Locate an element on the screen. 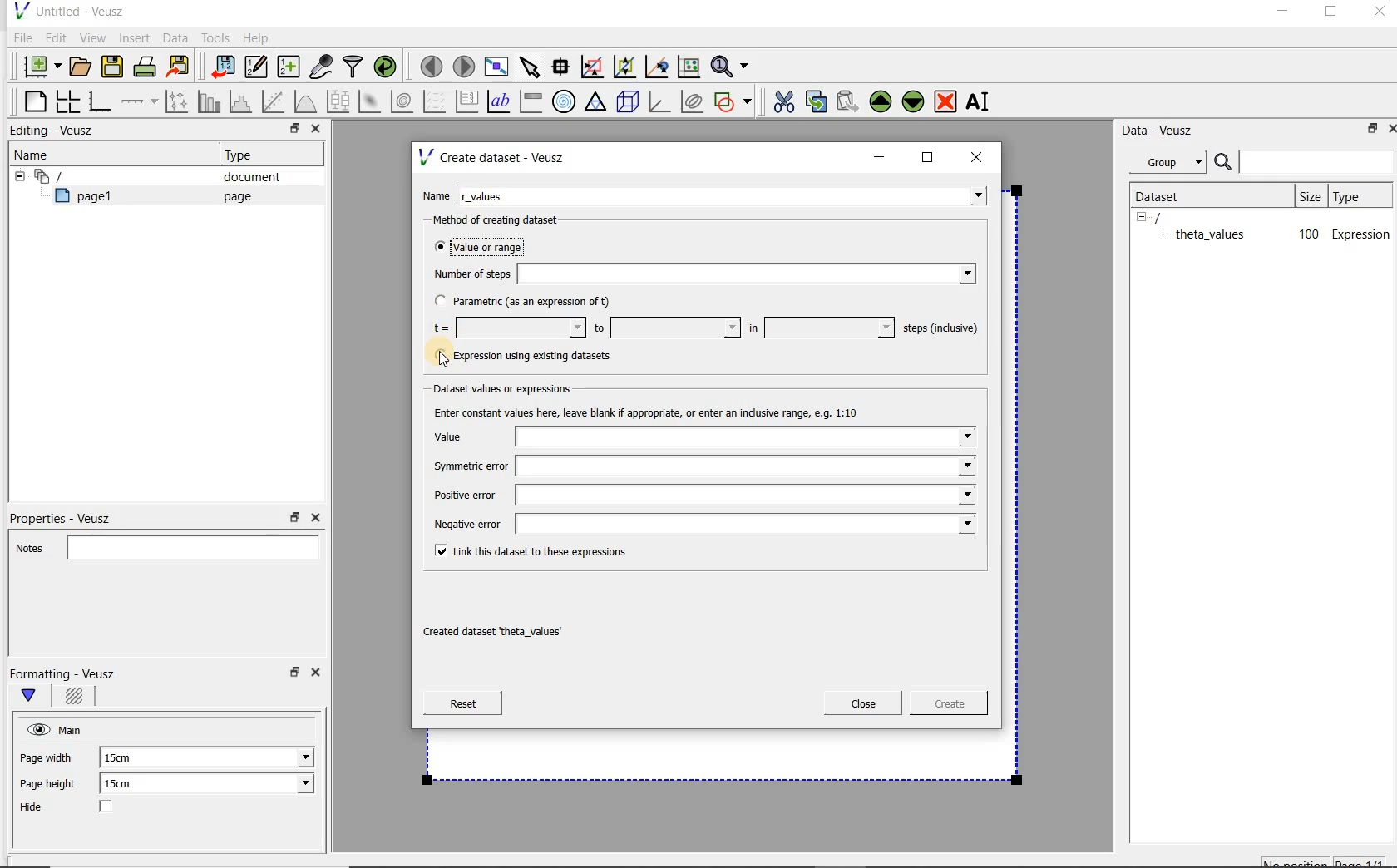  Background is located at coordinates (77, 698).